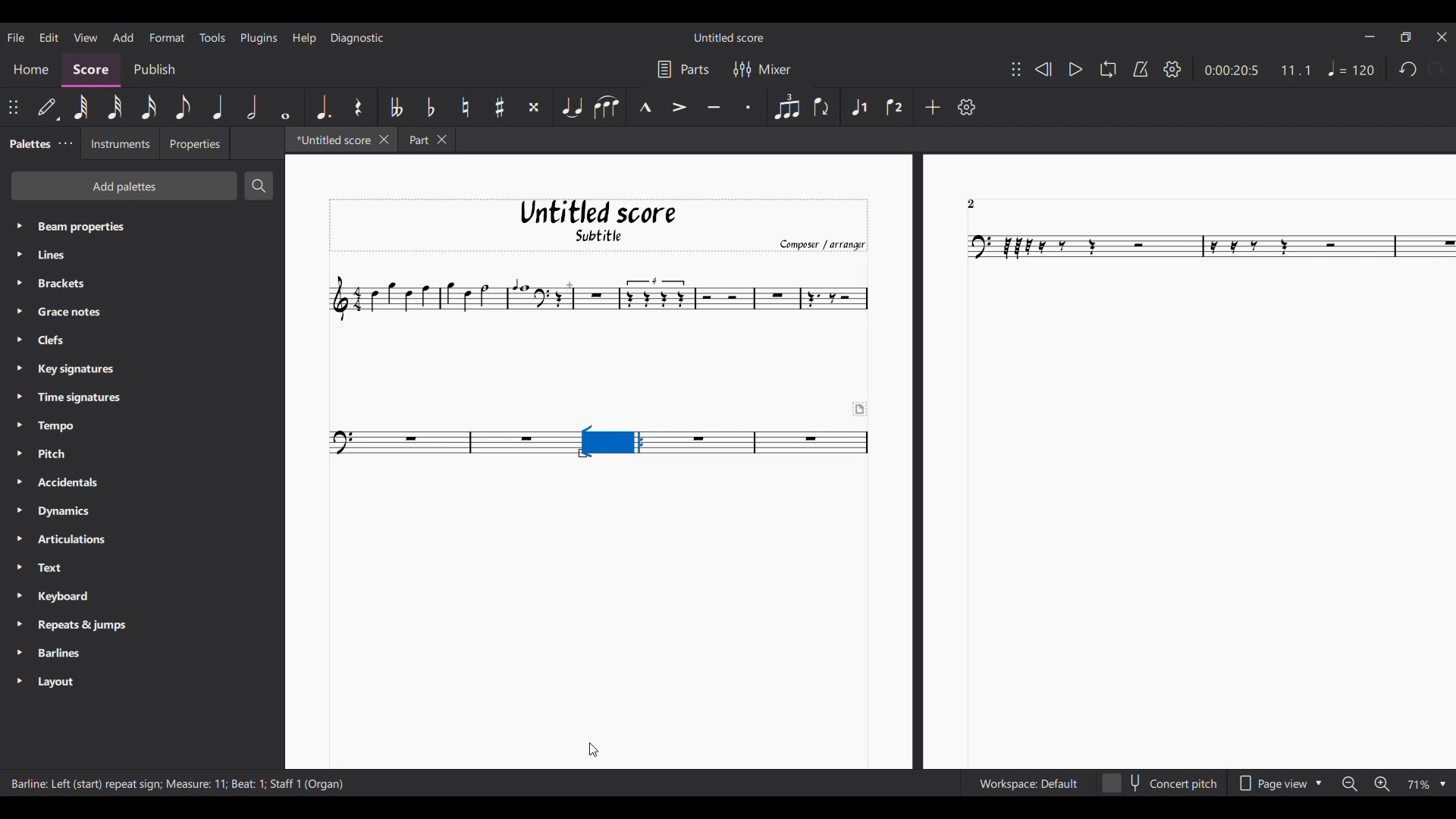 The height and width of the screenshot is (819, 1456). What do you see at coordinates (612, 442) in the screenshot?
I see `Highlighted by cursor` at bounding box center [612, 442].